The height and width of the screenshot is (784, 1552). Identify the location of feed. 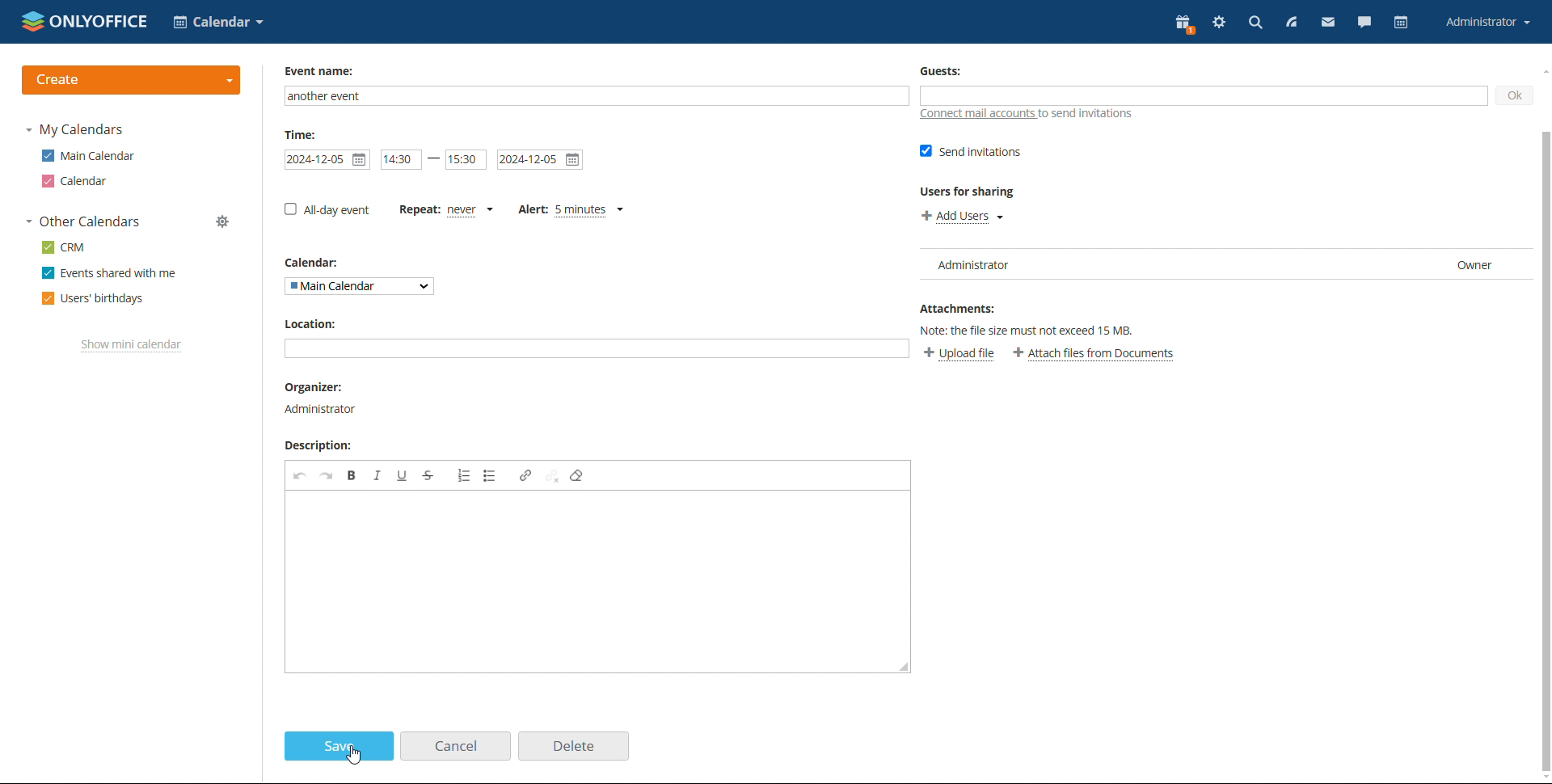
(1290, 23).